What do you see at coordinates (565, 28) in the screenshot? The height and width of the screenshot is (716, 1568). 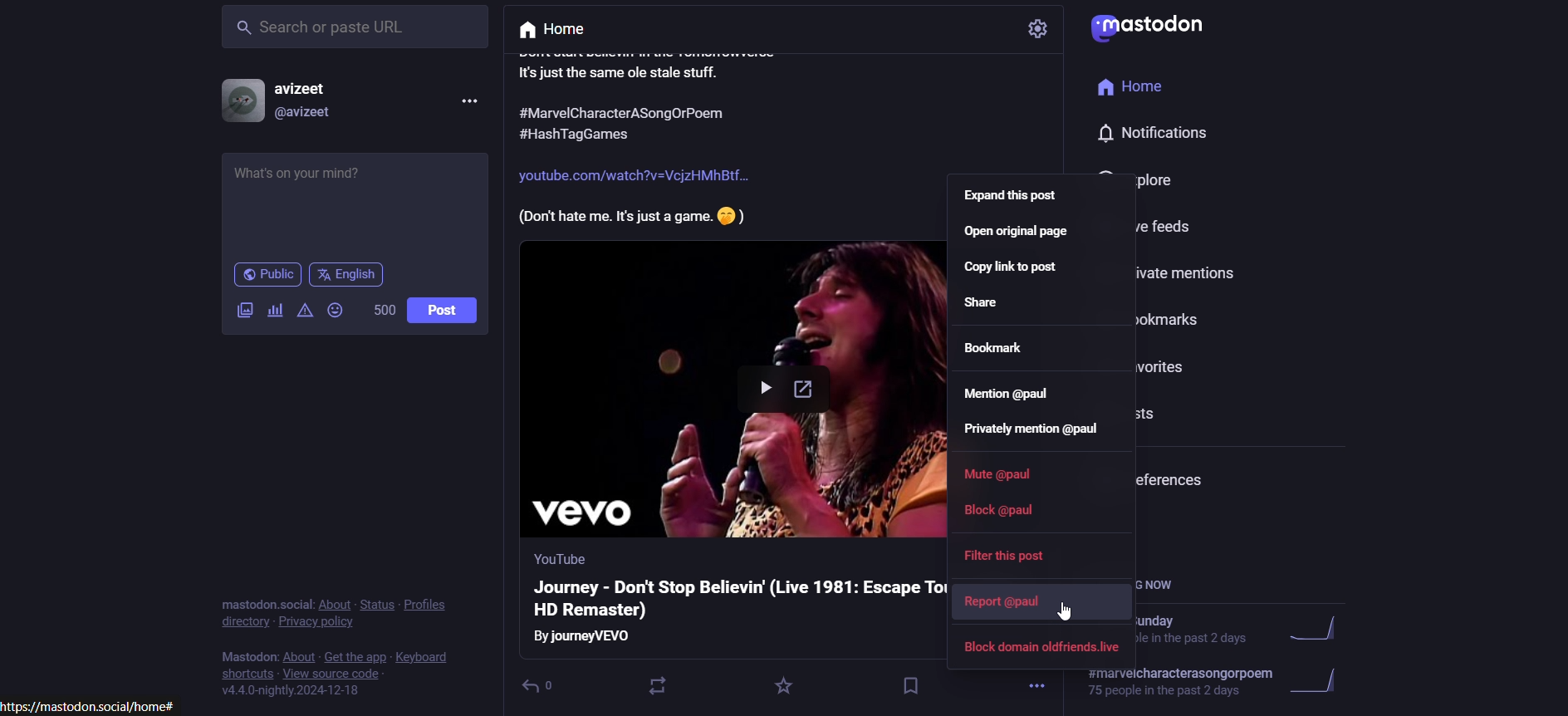 I see `home` at bounding box center [565, 28].